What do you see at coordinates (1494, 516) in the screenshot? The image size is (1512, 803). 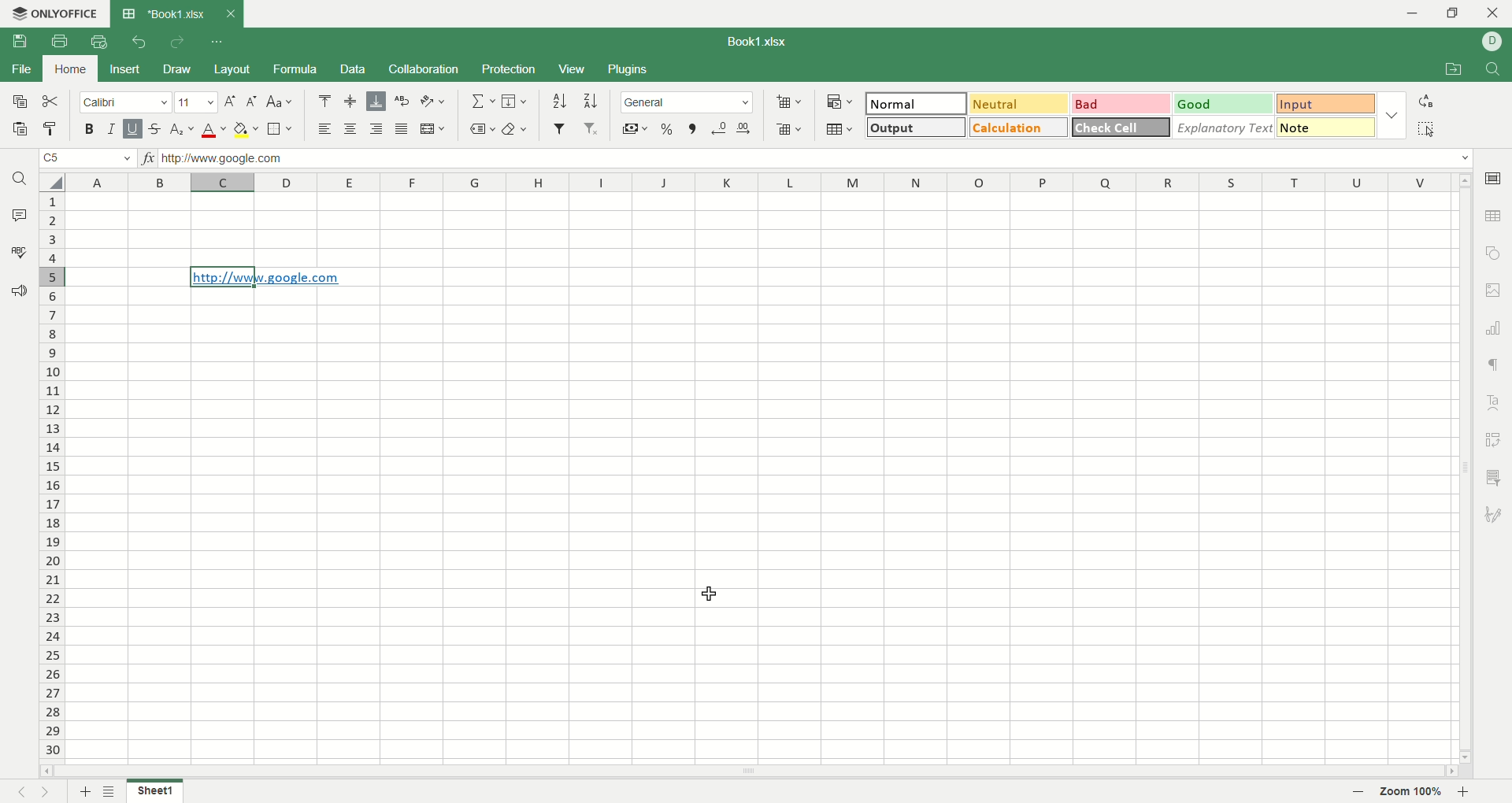 I see `signature settings` at bounding box center [1494, 516].